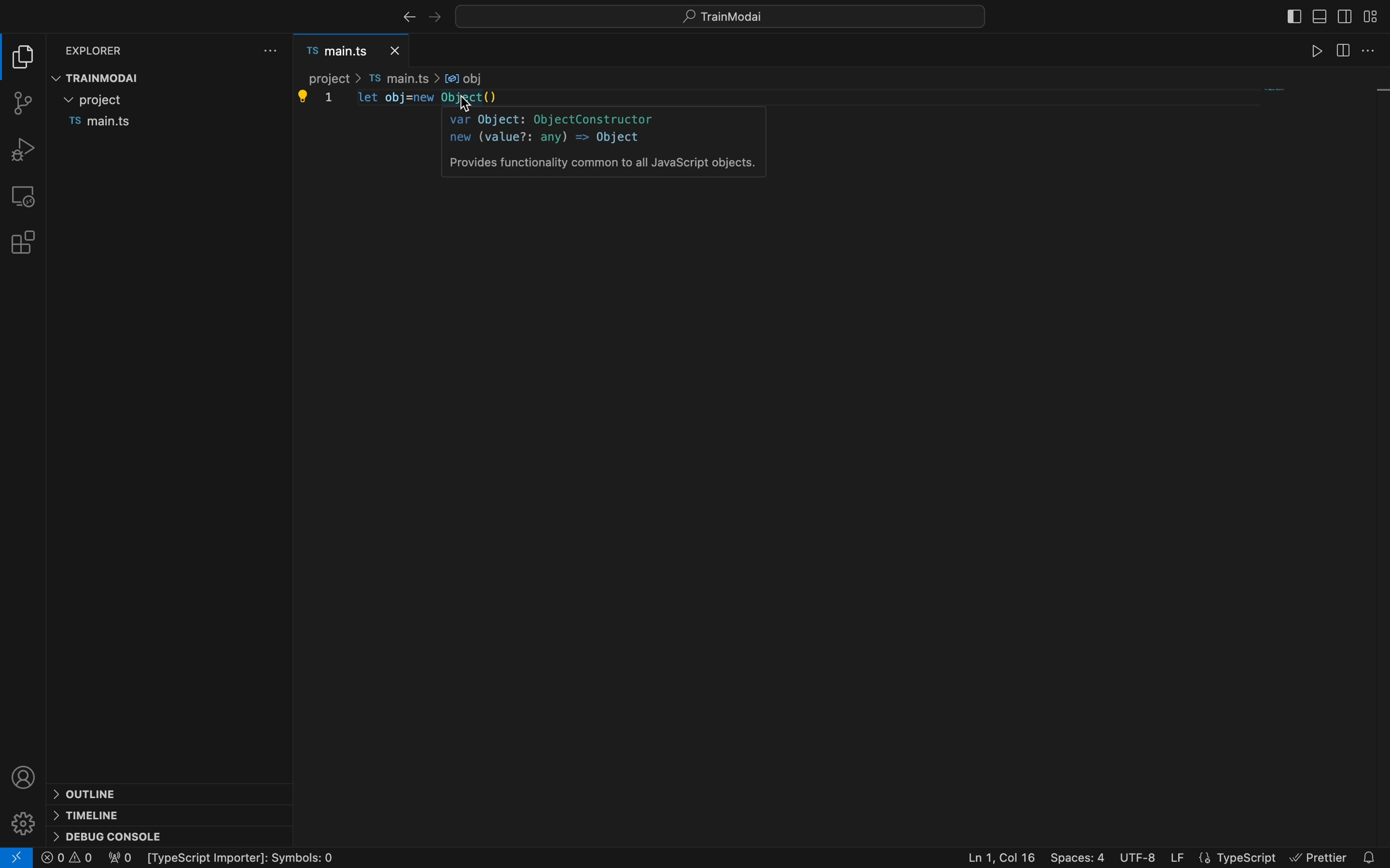 This screenshot has height=868, width=1390. I want to click on quick open, so click(729, 15).